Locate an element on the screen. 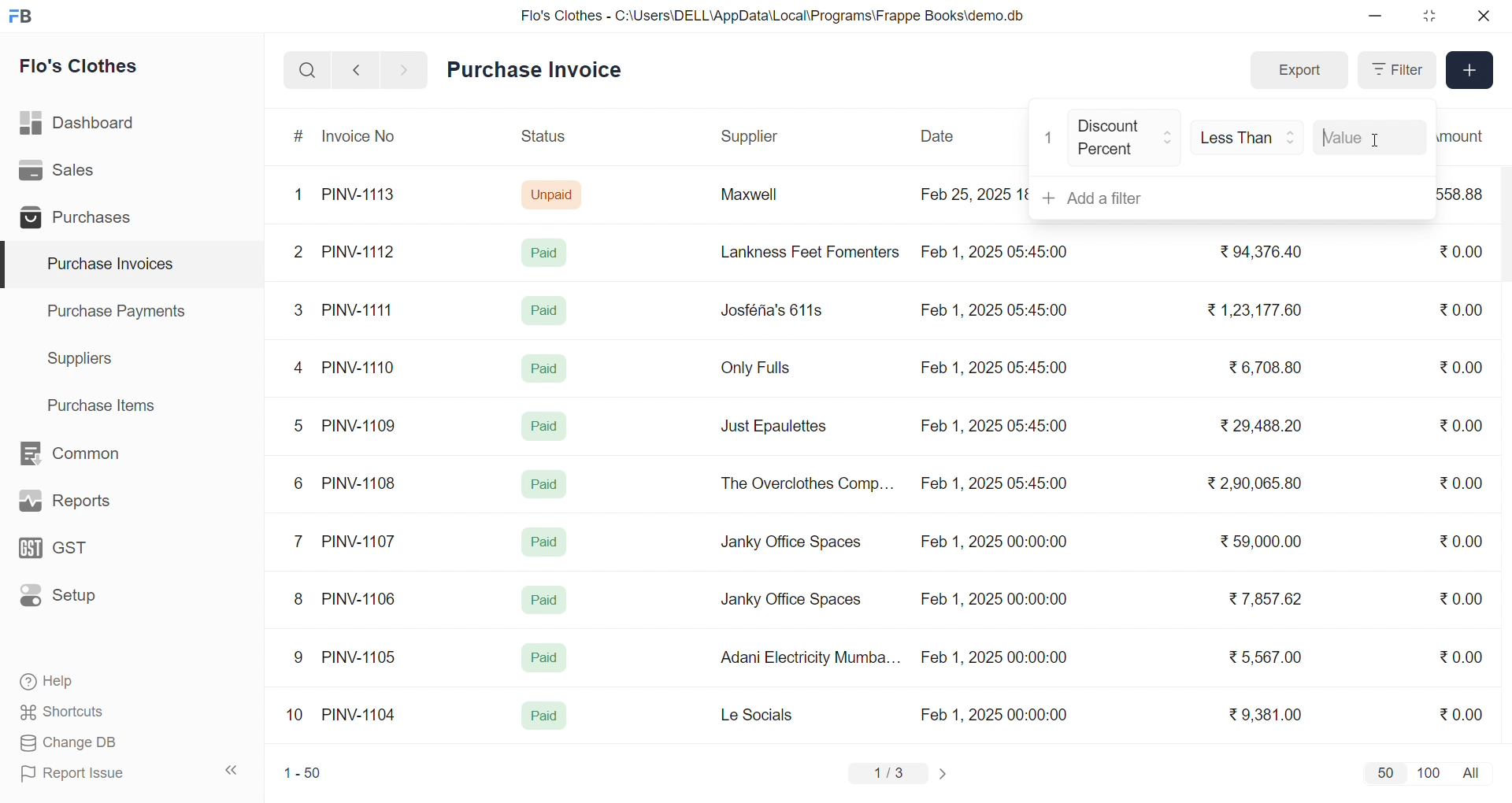  Reports is located at coordinates (83, 505).